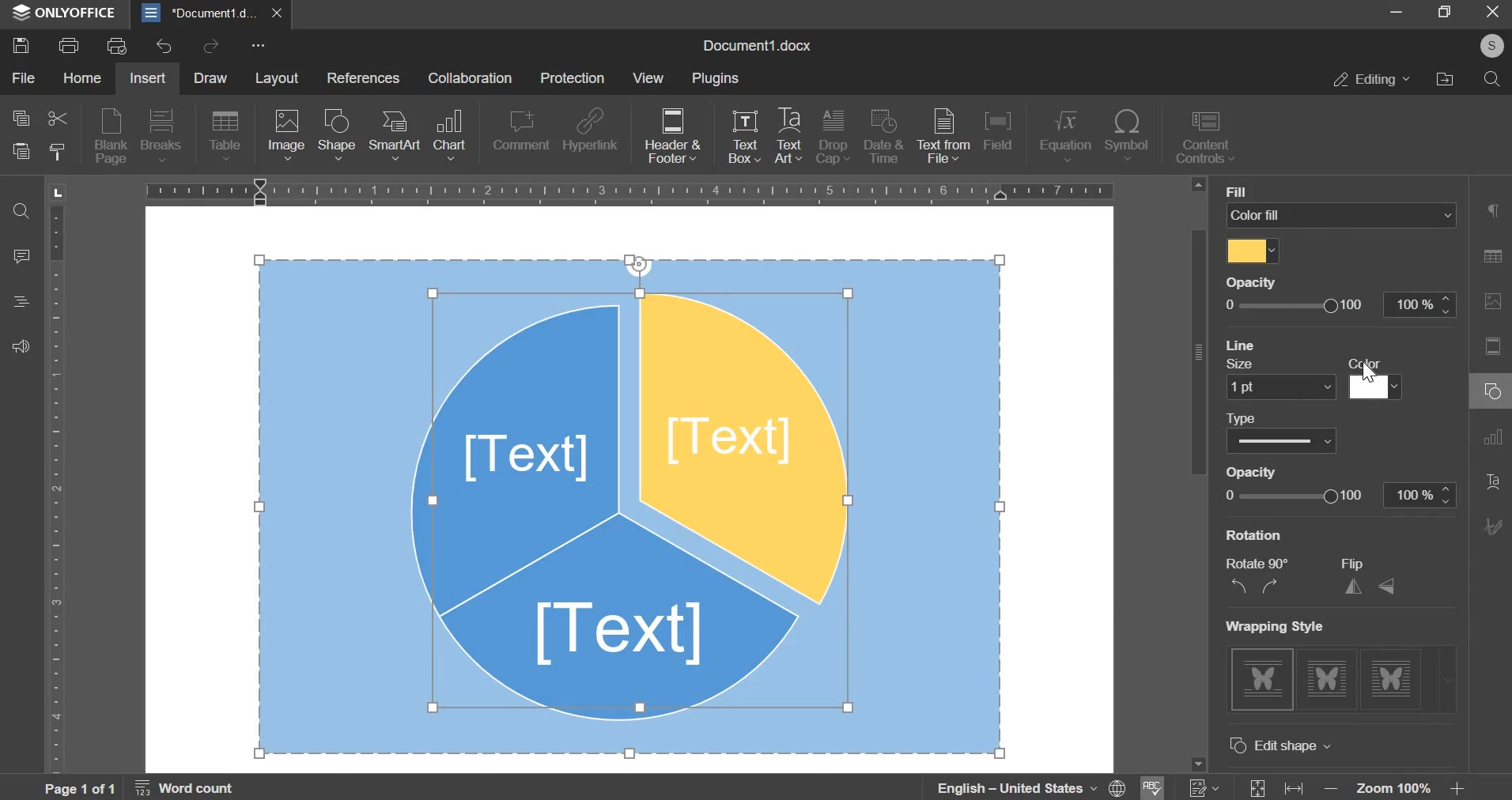 The height and width of the screenshot is (800, 1512). Describe the element at coordinates (21, 45) in the screenshot. I see `save` at that location.